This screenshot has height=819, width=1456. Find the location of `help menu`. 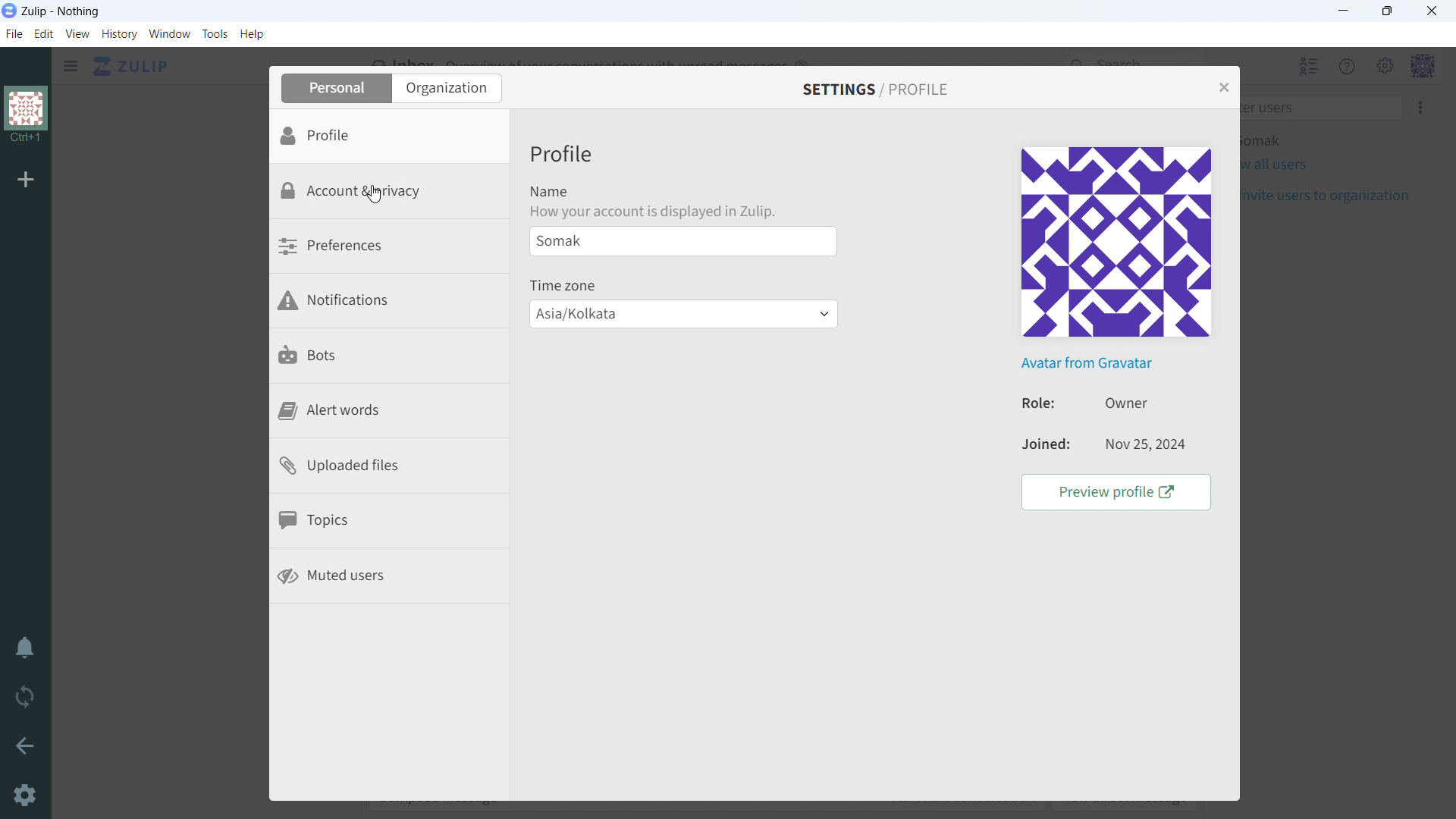

help menu is located at coordinates (1348, 67).